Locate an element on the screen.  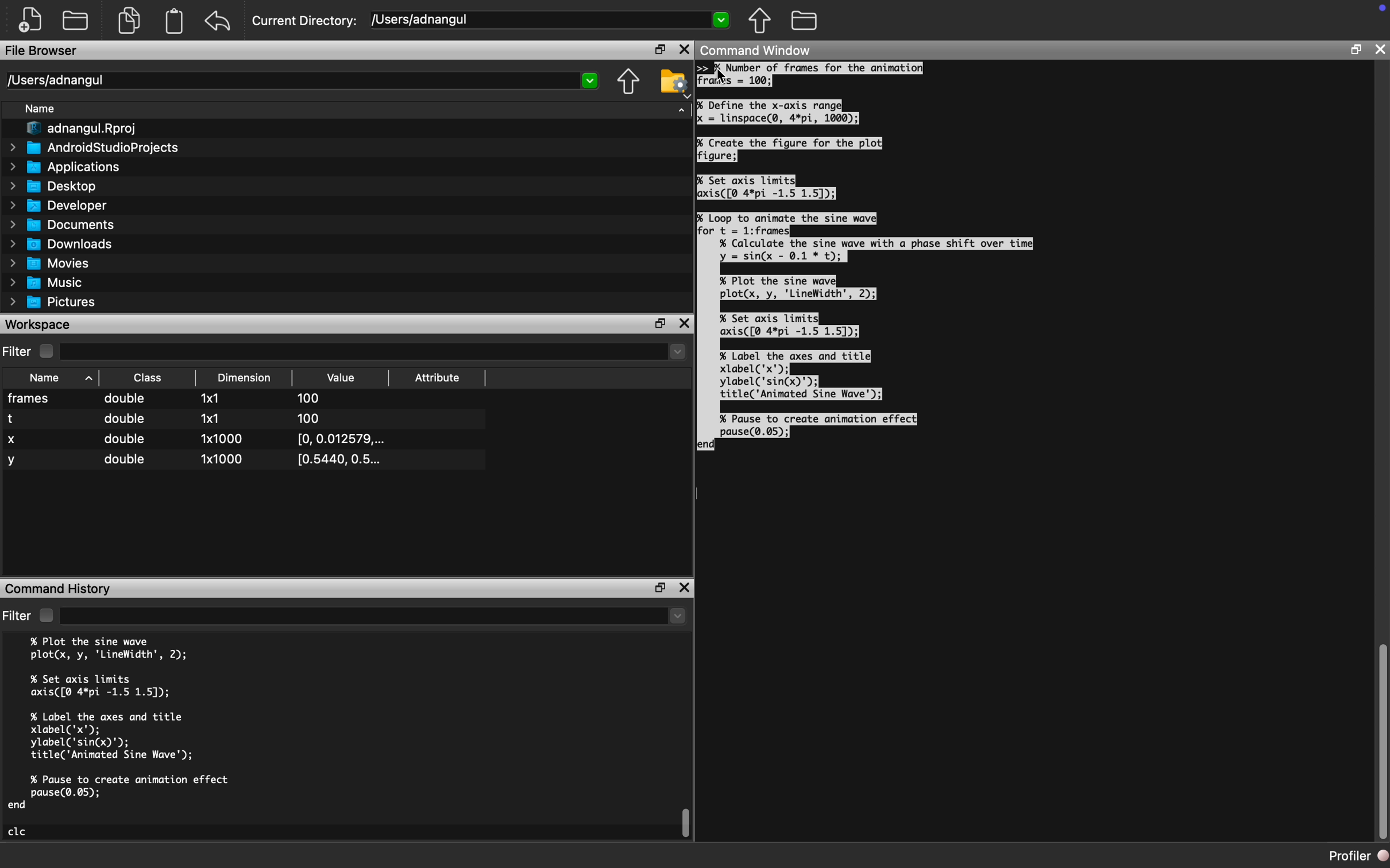
y double 1x1000 10.5440, 0.5... is located at coordinates (196, 462).